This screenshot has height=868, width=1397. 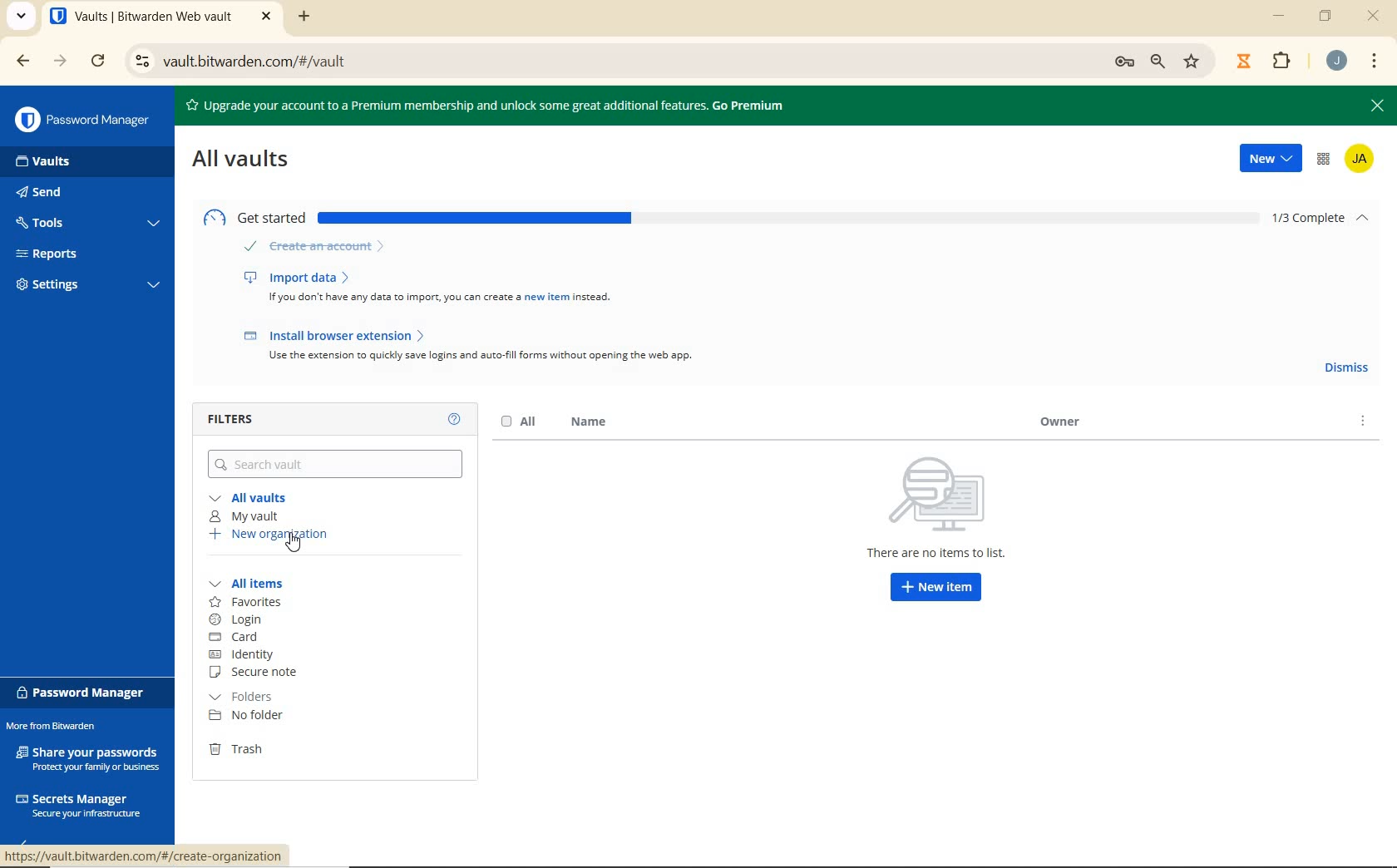 What do you see at coordinates (247, 603) in the screenshot?
I see `favorites` at bounding box center [247, 603].